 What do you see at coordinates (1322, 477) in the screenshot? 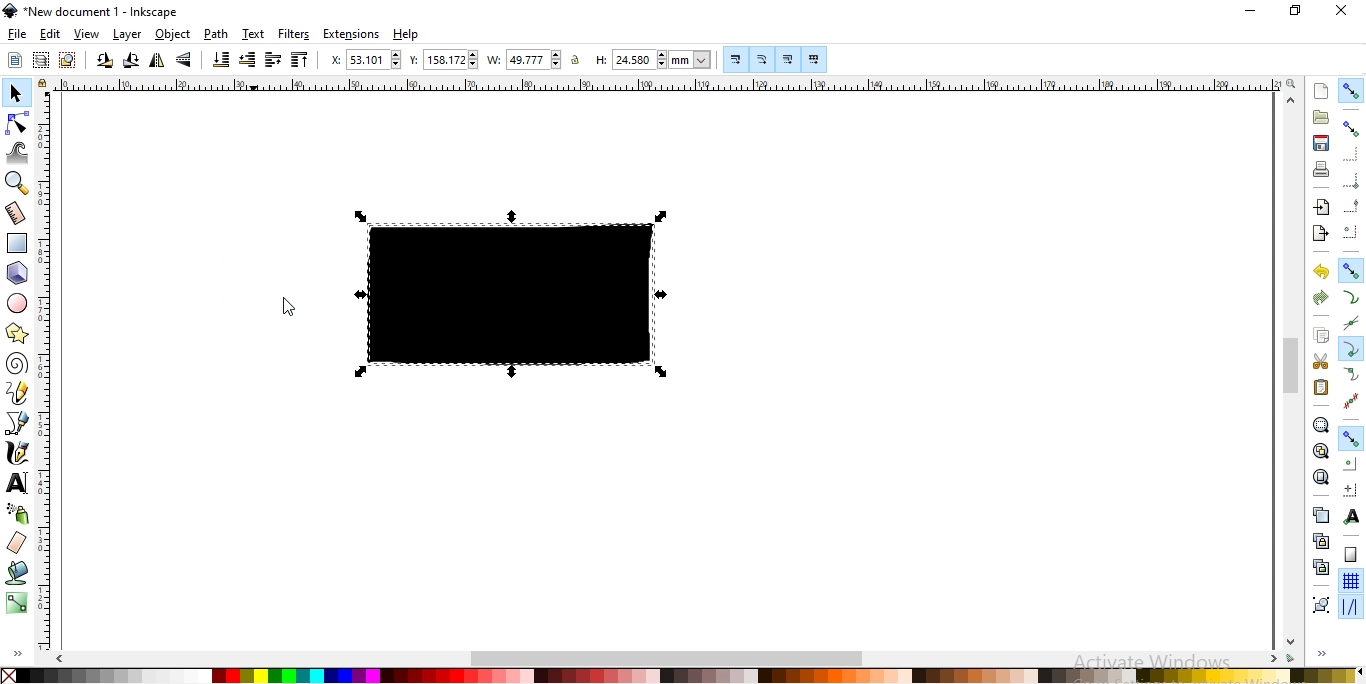
I see `zoom to fit page` at bounding box center [1322, 477].